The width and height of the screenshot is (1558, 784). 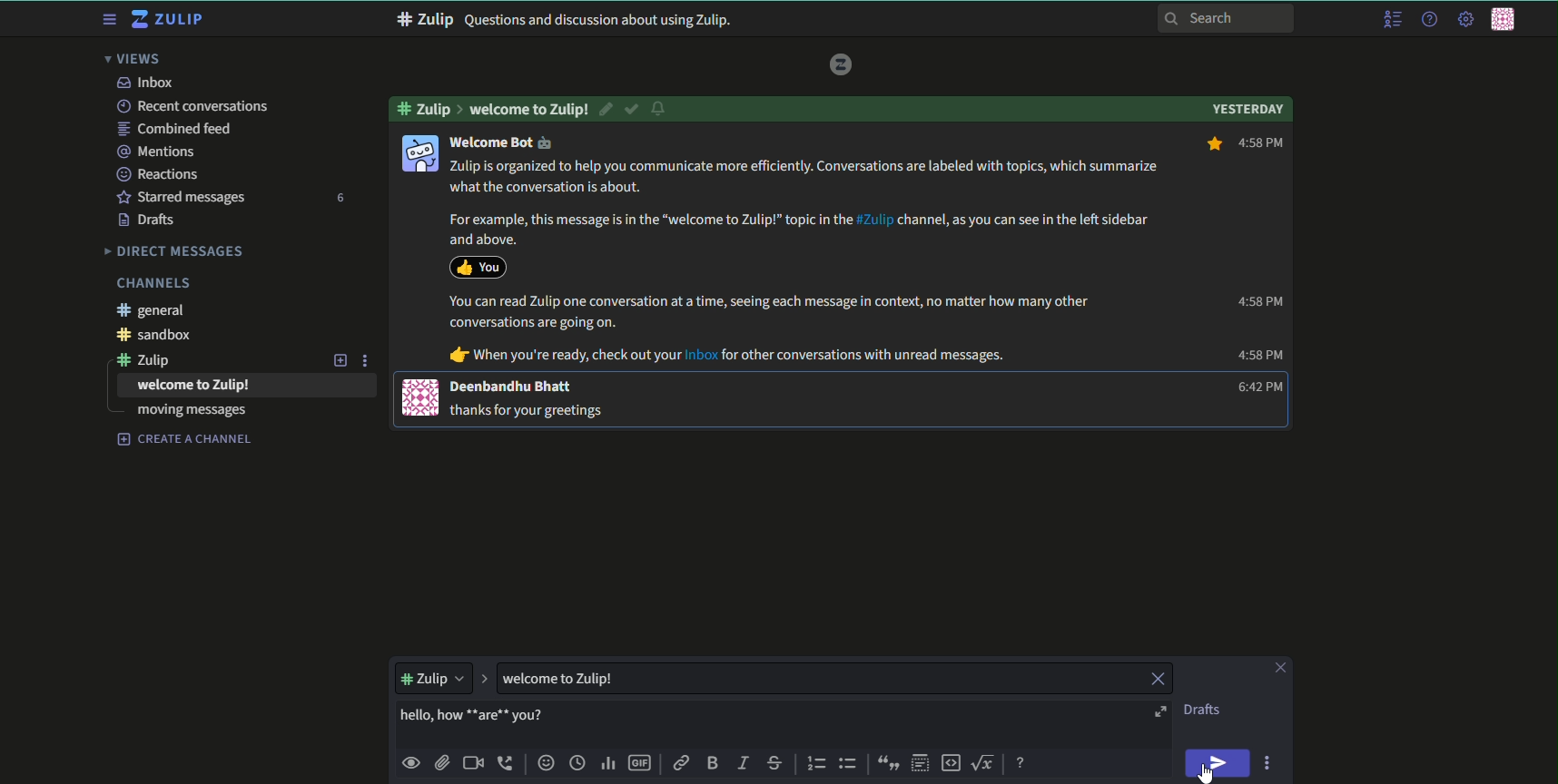 I want to click on main menu, so click(x=1464, y=19).